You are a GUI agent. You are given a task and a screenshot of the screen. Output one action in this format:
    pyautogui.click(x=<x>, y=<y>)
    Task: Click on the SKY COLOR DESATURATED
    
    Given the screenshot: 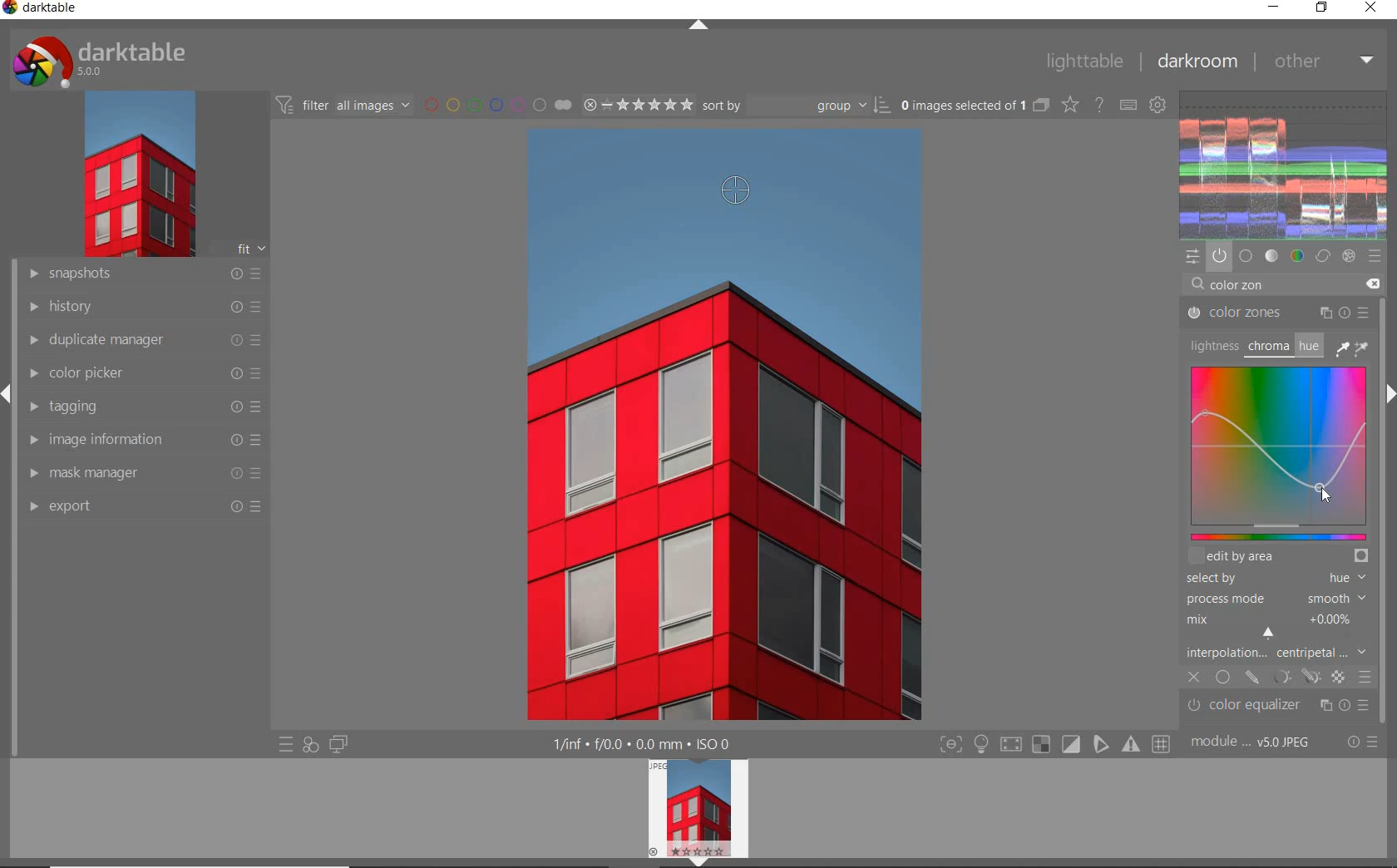 What is the action you would take?
    pyautogui.click(x=723, y=320)
    